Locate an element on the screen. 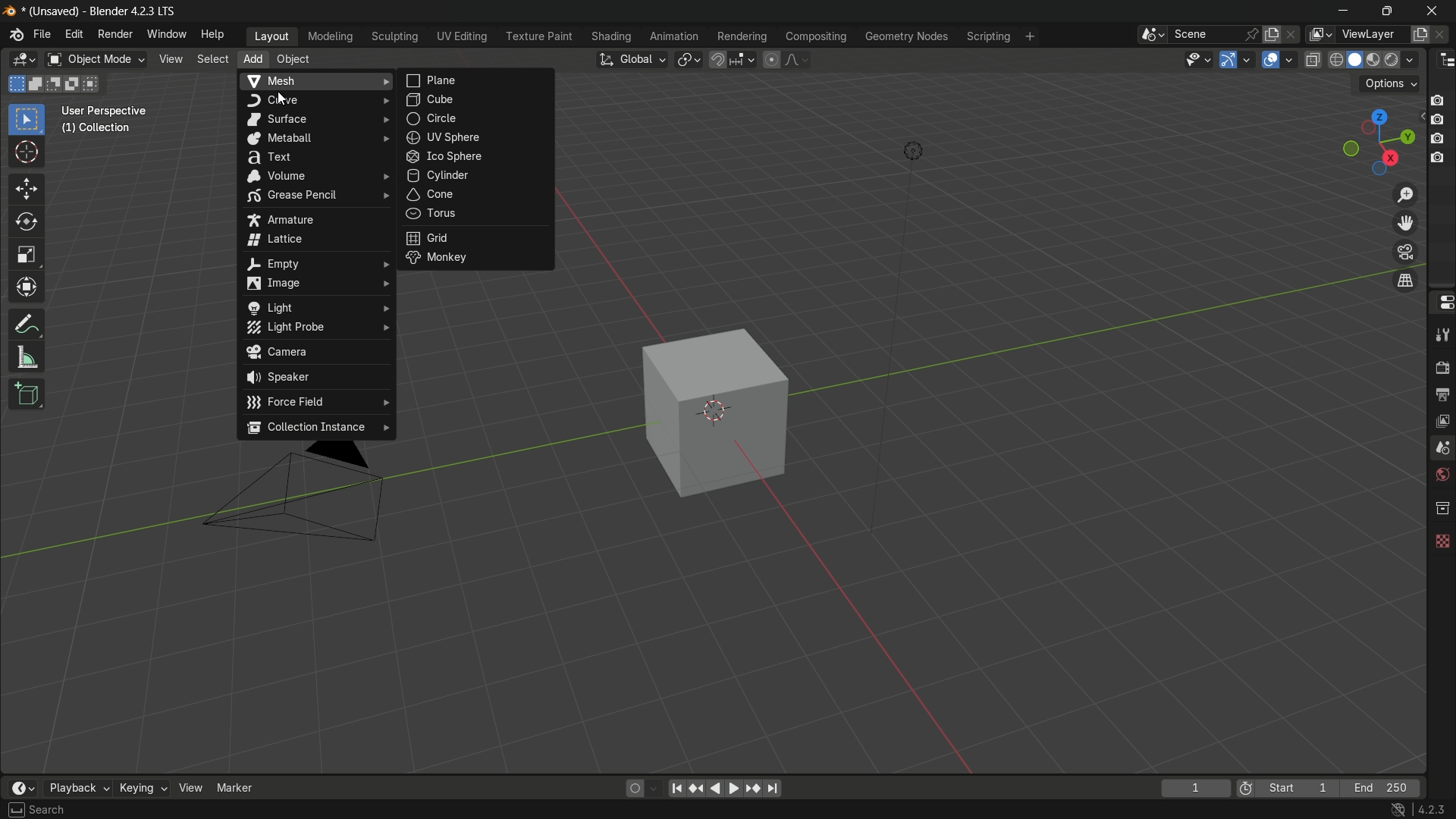  empty is located at coordinates (315, 263).